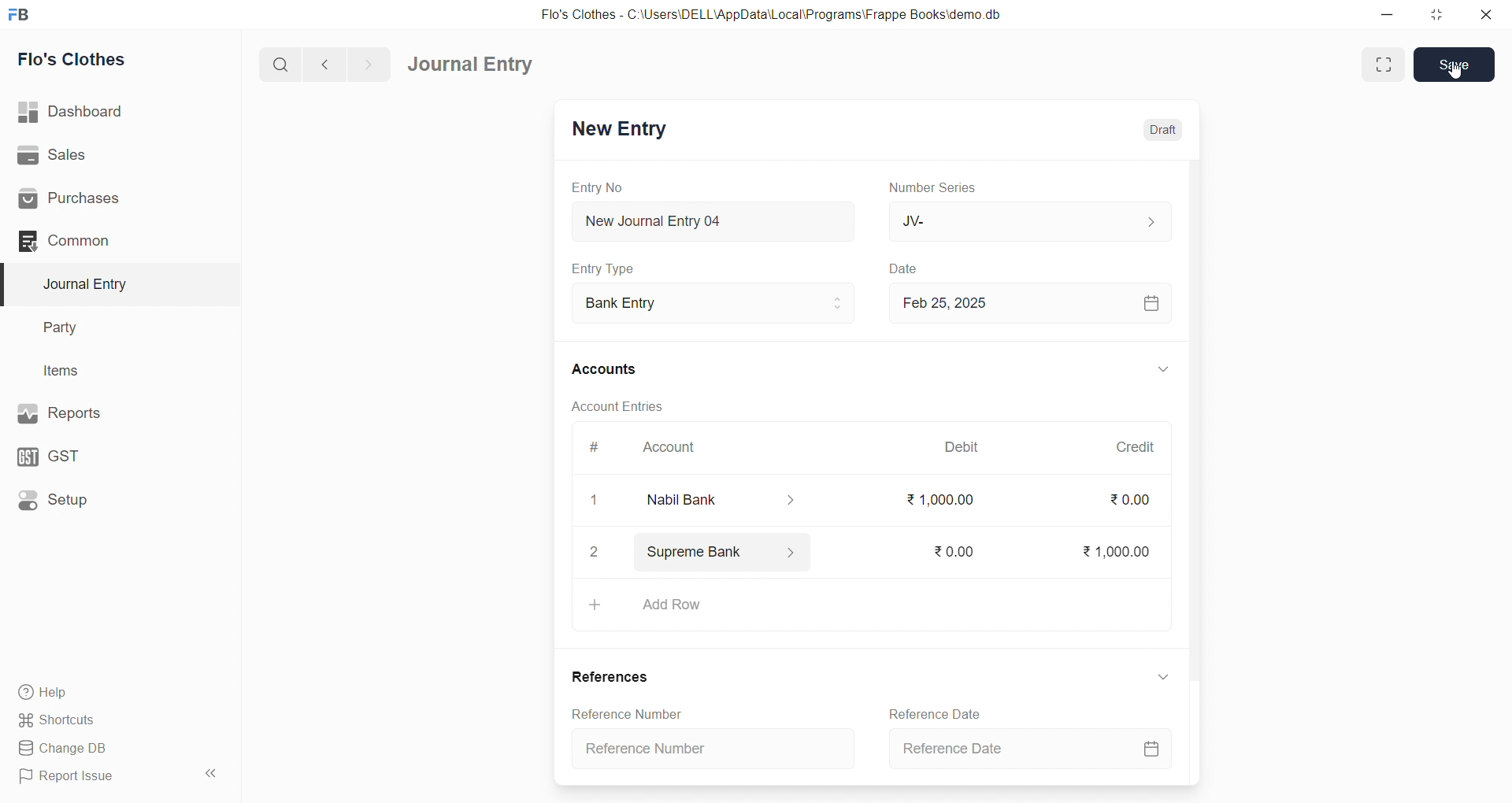 Image resolution: width=1512 pixels, height=803 pixels. Describe the element at coordinates (110, 328) in the screenshot. I see `Party` at that location.